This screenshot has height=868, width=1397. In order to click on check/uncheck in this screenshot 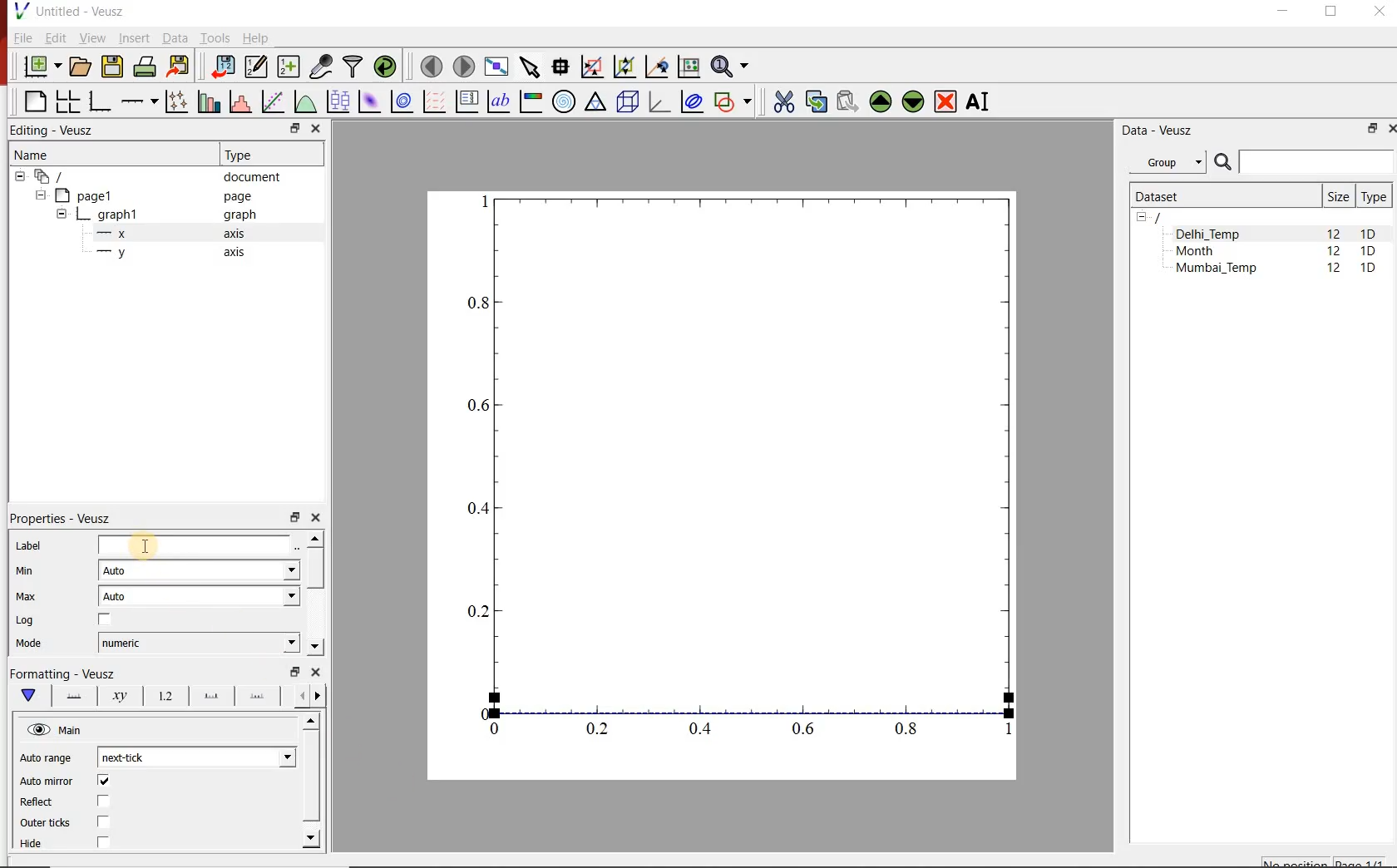, I will do `click(102, 844)`.